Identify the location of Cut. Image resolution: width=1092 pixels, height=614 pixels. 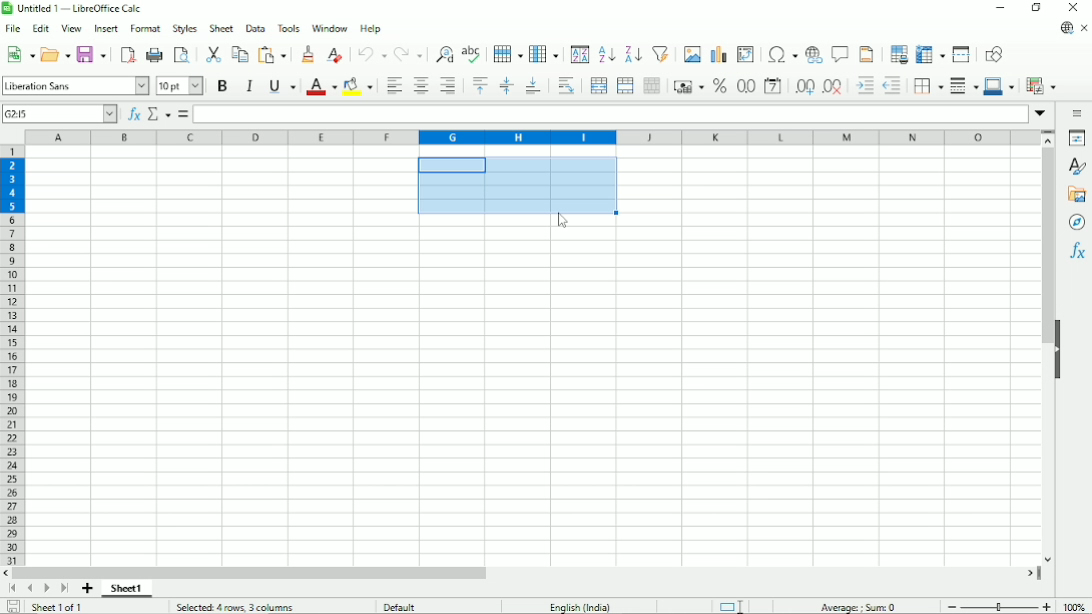
(212, 53).